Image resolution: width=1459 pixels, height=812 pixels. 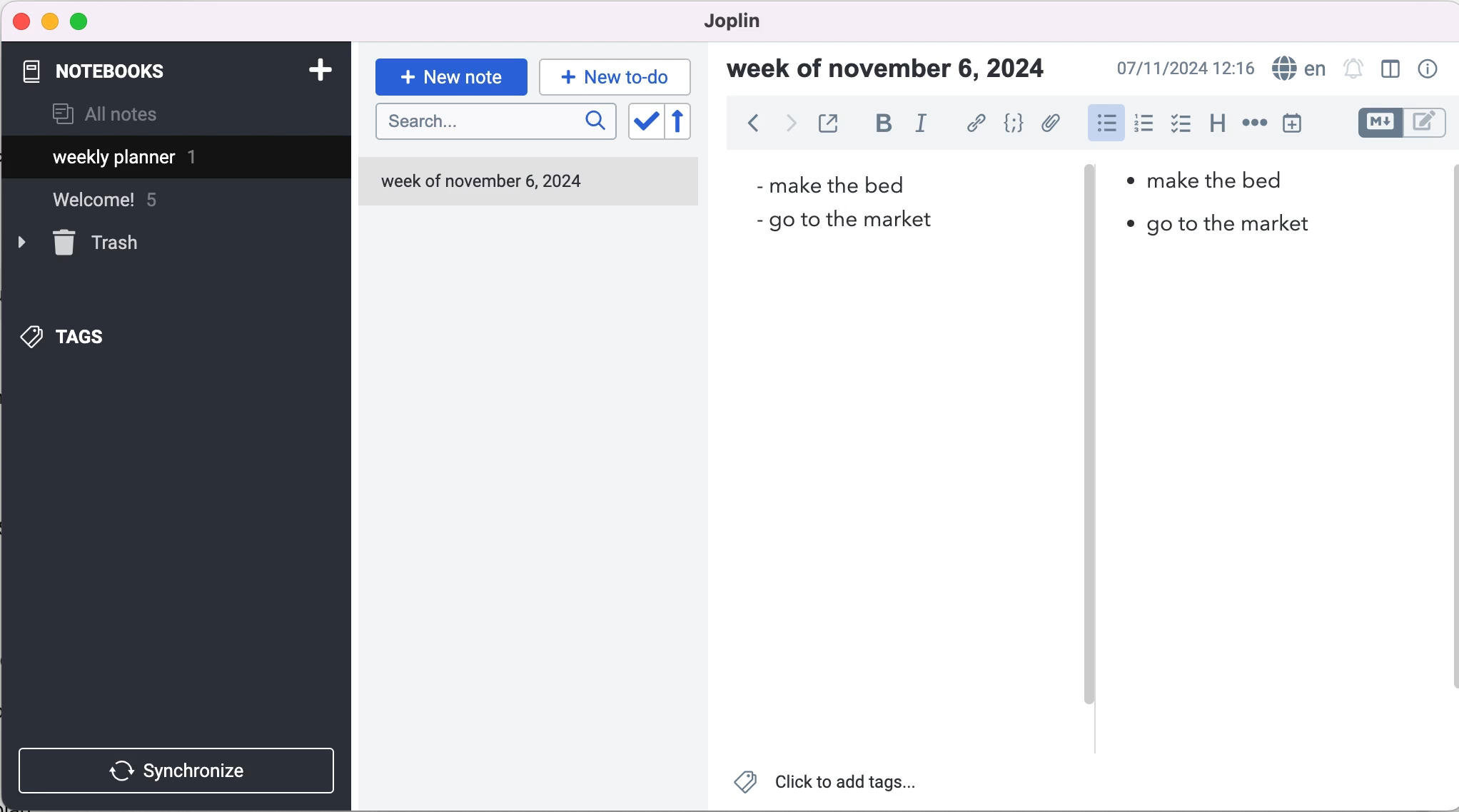 What do you see at coordinates (830, 125) in the screenshot?
I see `toggle external editing` at bounding box center [830, 125].